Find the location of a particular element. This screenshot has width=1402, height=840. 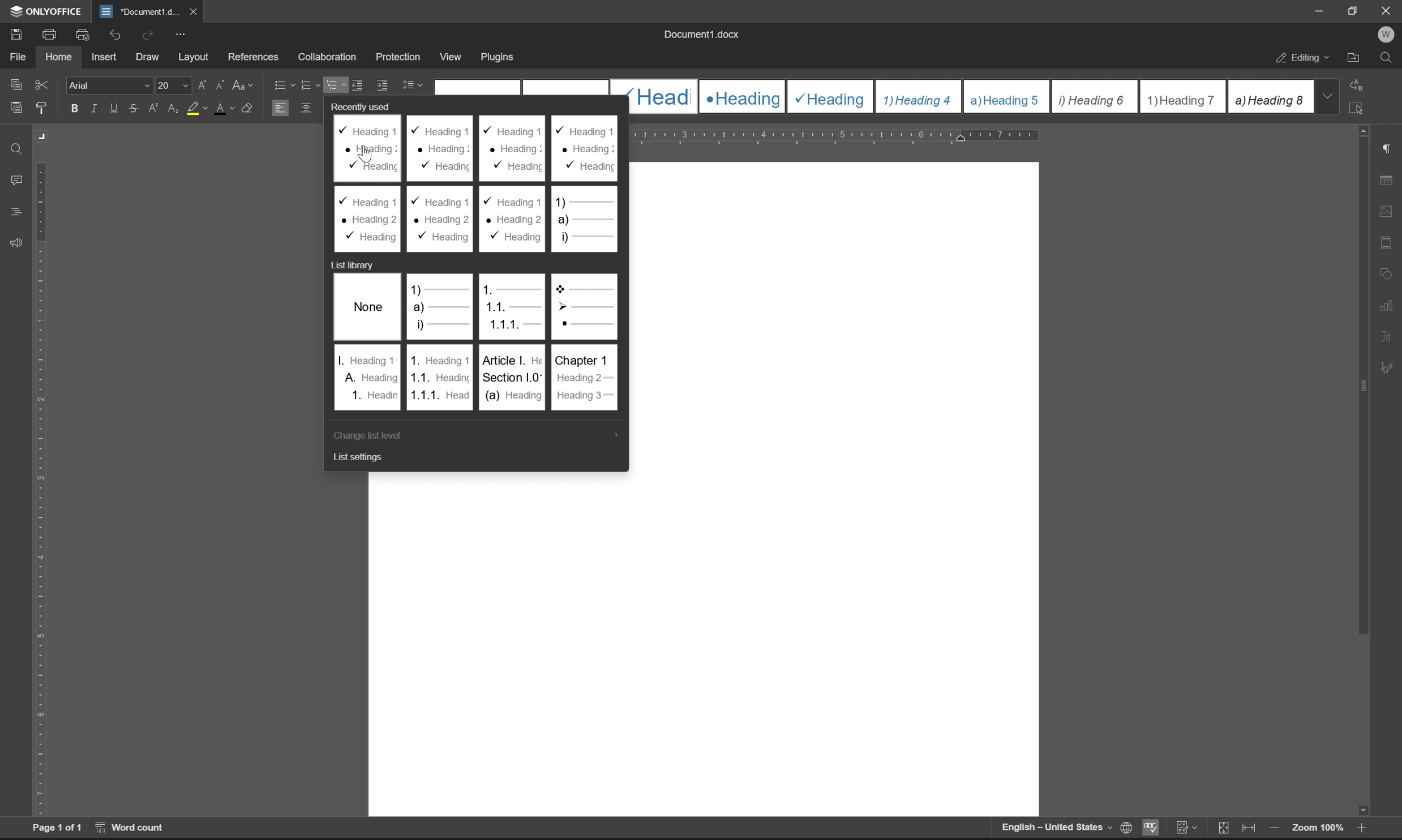

customize quick access toolbar is located at coordinates (180, 35).